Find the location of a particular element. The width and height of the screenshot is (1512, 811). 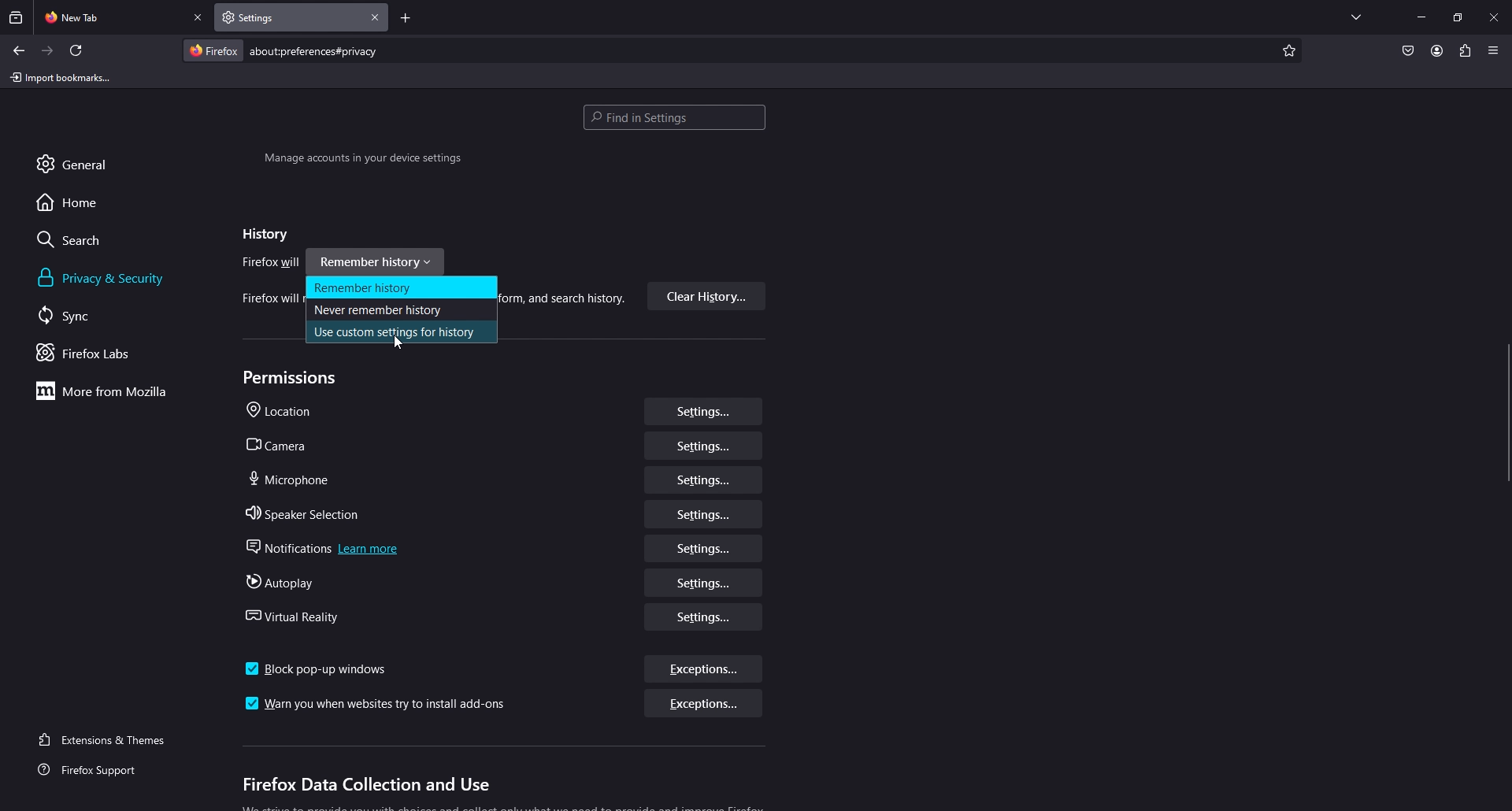

Manage accounts in your device settings is located at coordinates (362, 161).